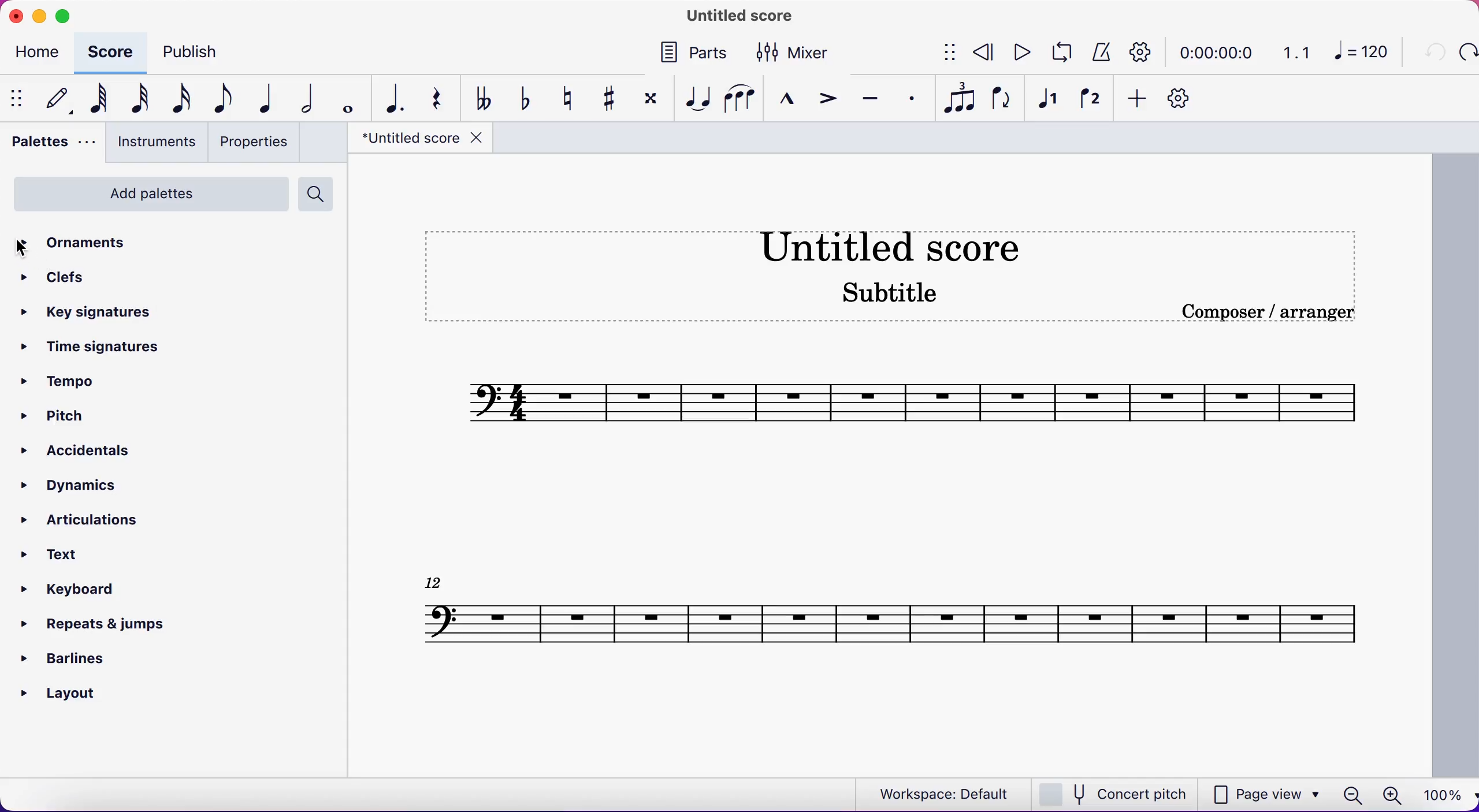 This screenshot has width=1479, height=812. What do you see at coordinates (16, 99) in the screenshot?
I see `show/hide` at bounding box center [16, 99].